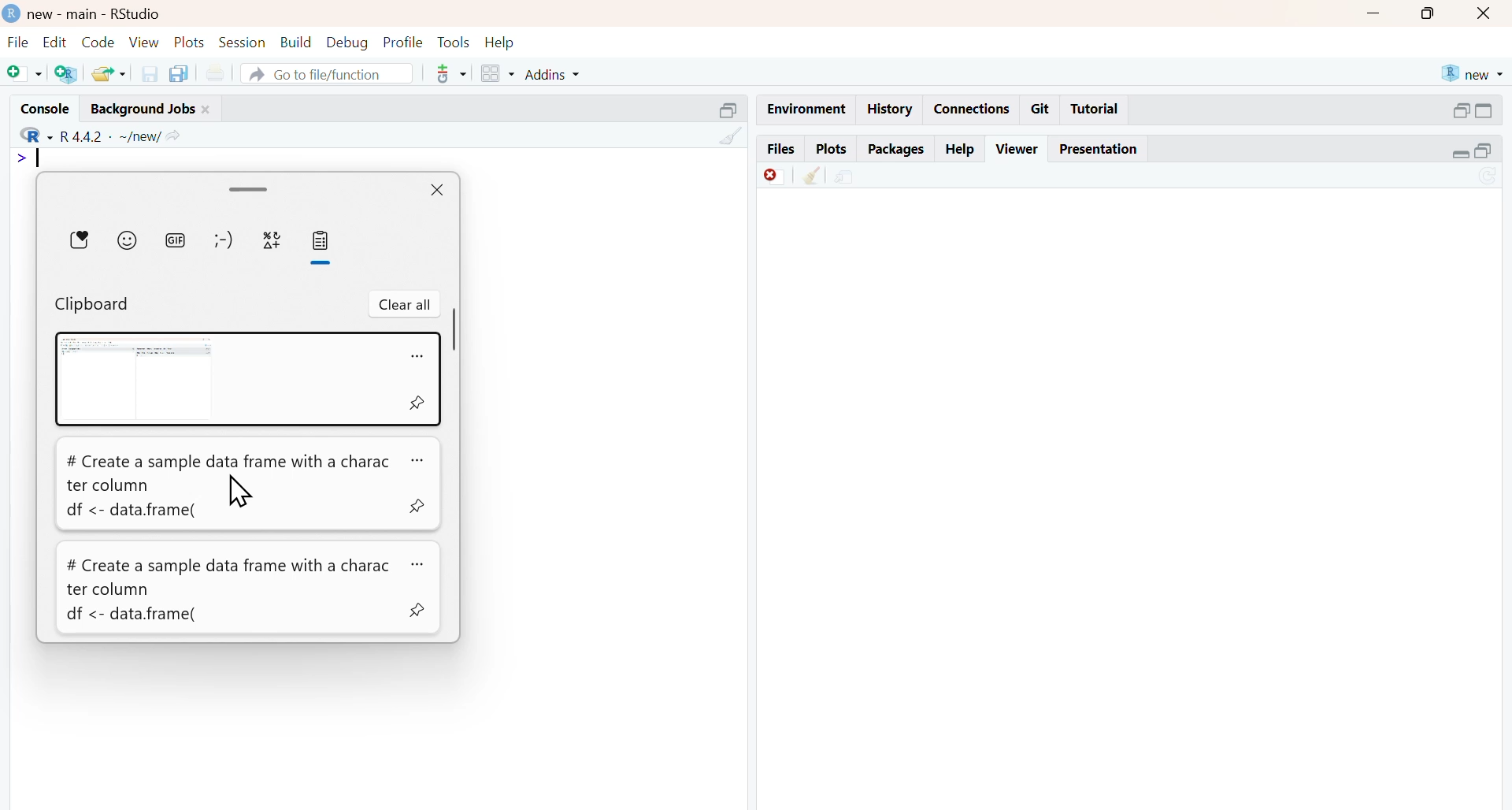  Describe the element at coordinates (111, 137) in the screenshot. I see `R 4.4.2 ~/new/` at that location.